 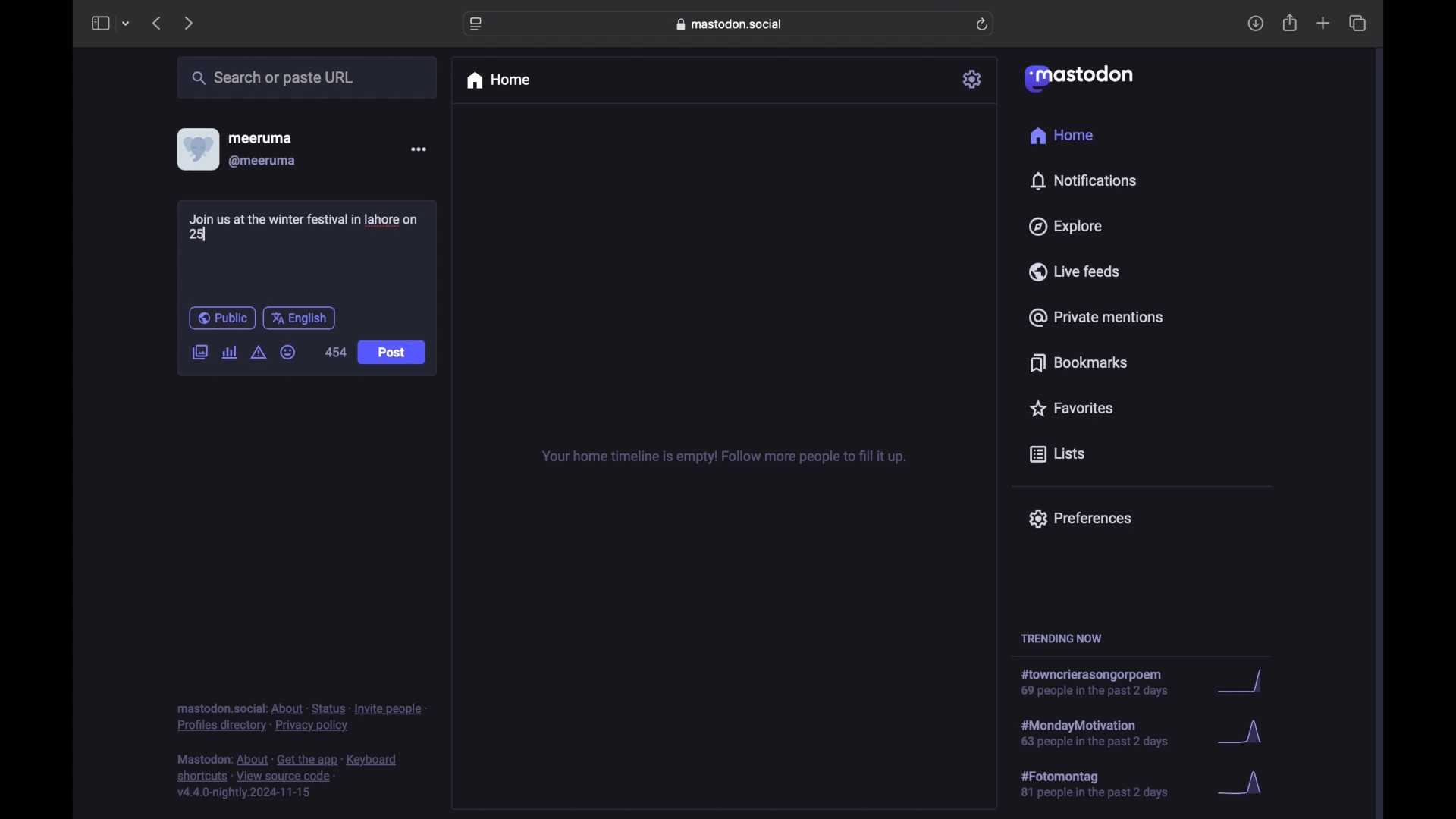 What do you see at coordinates (419, 149) in the screenshot?
I see `more options` at bounding box center [419, 149].